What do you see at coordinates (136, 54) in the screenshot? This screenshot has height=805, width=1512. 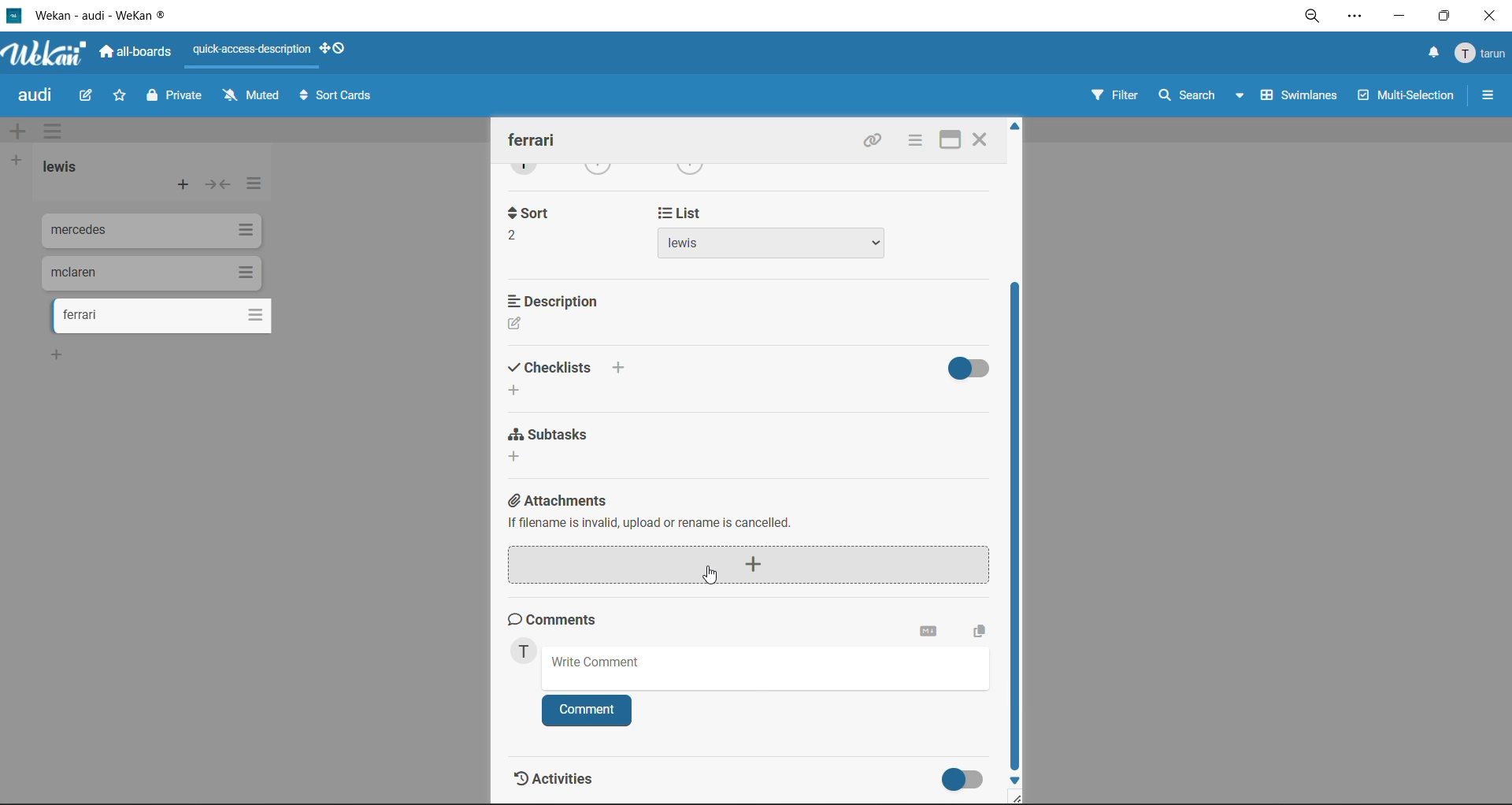 I see `all boards` at bounding box center [136, 54].